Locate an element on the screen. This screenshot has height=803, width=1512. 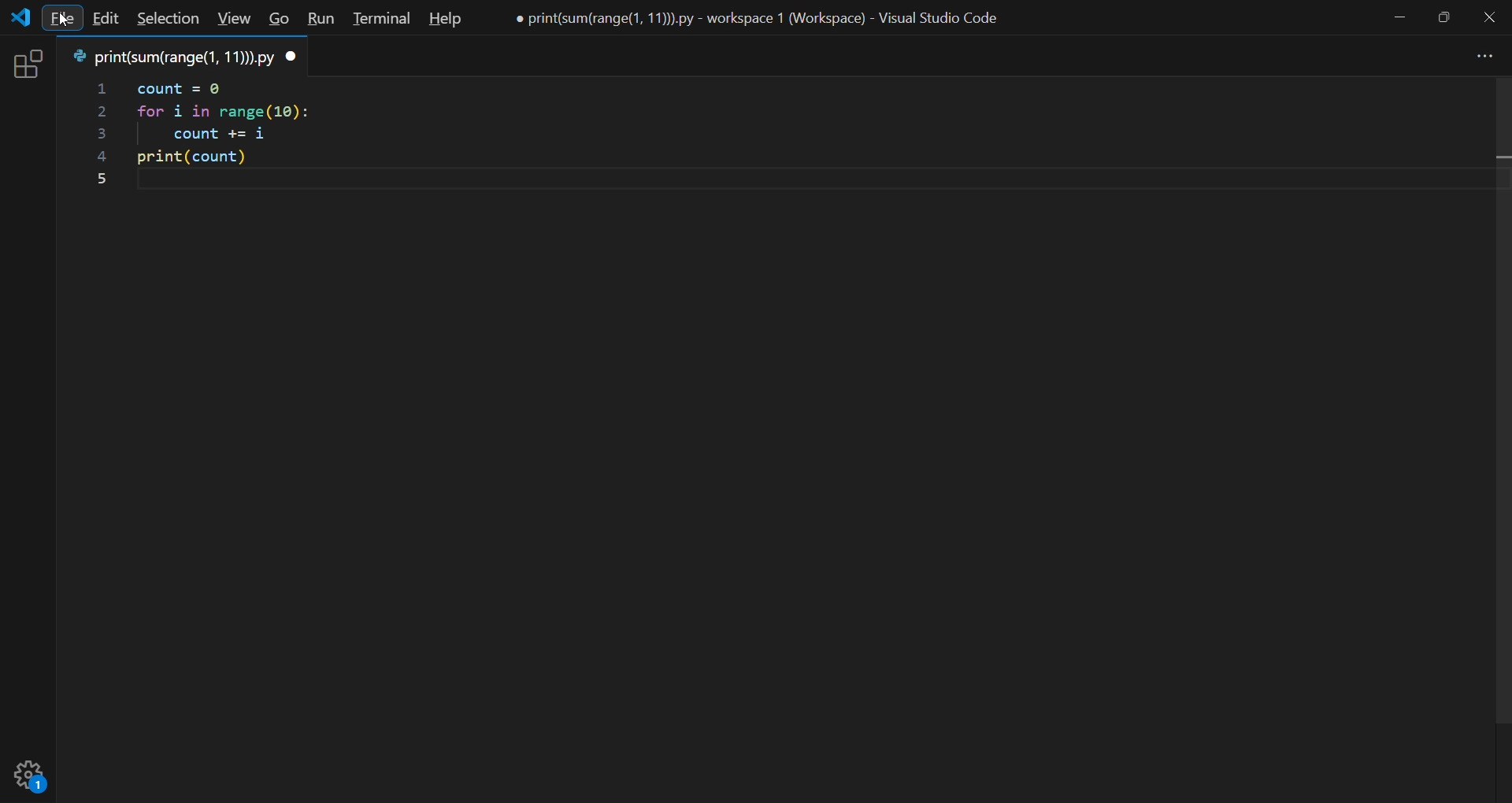
code is located at coordinates (253, 133).